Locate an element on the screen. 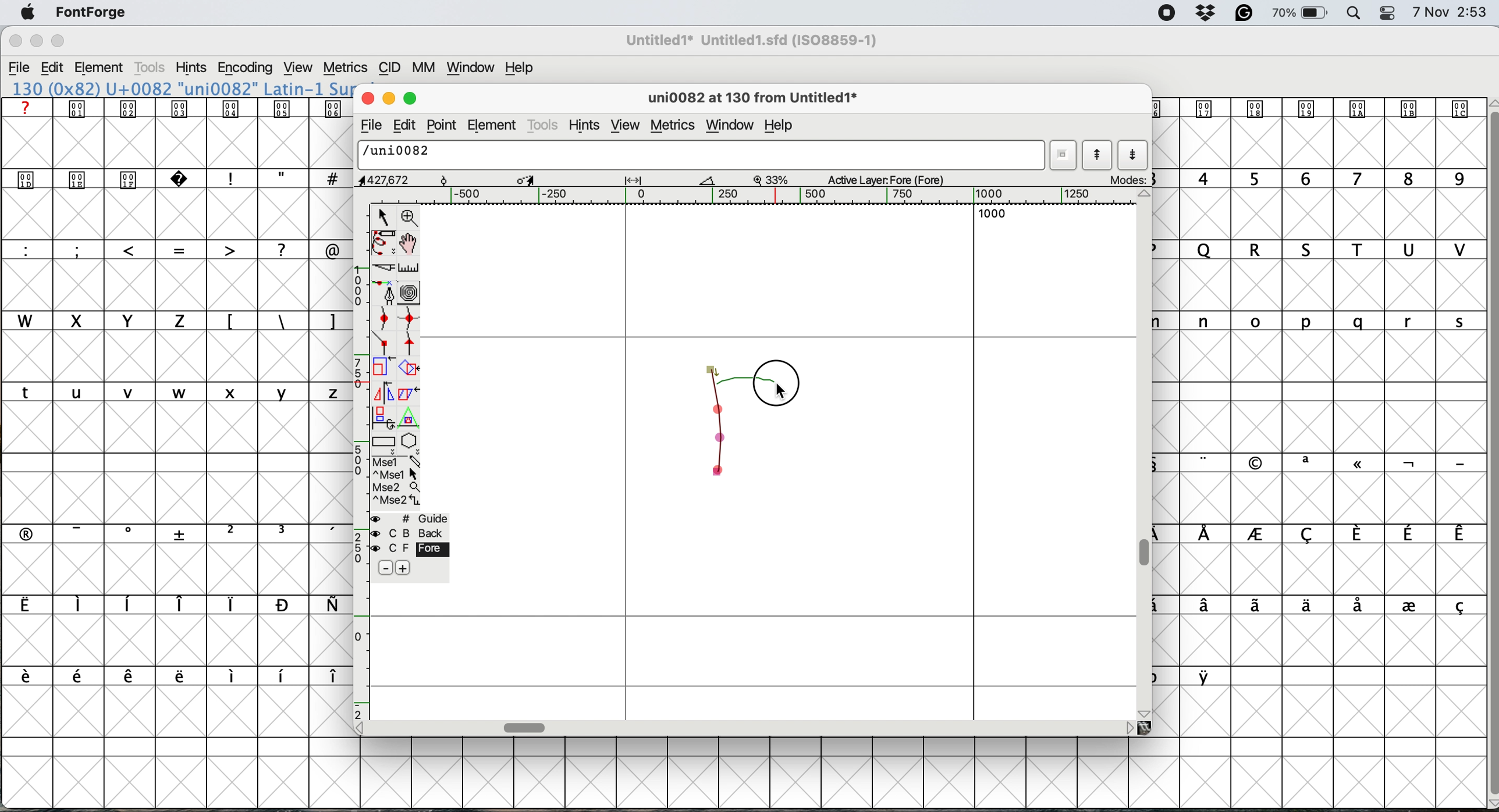  special icons is located at coordinates (177, 108).